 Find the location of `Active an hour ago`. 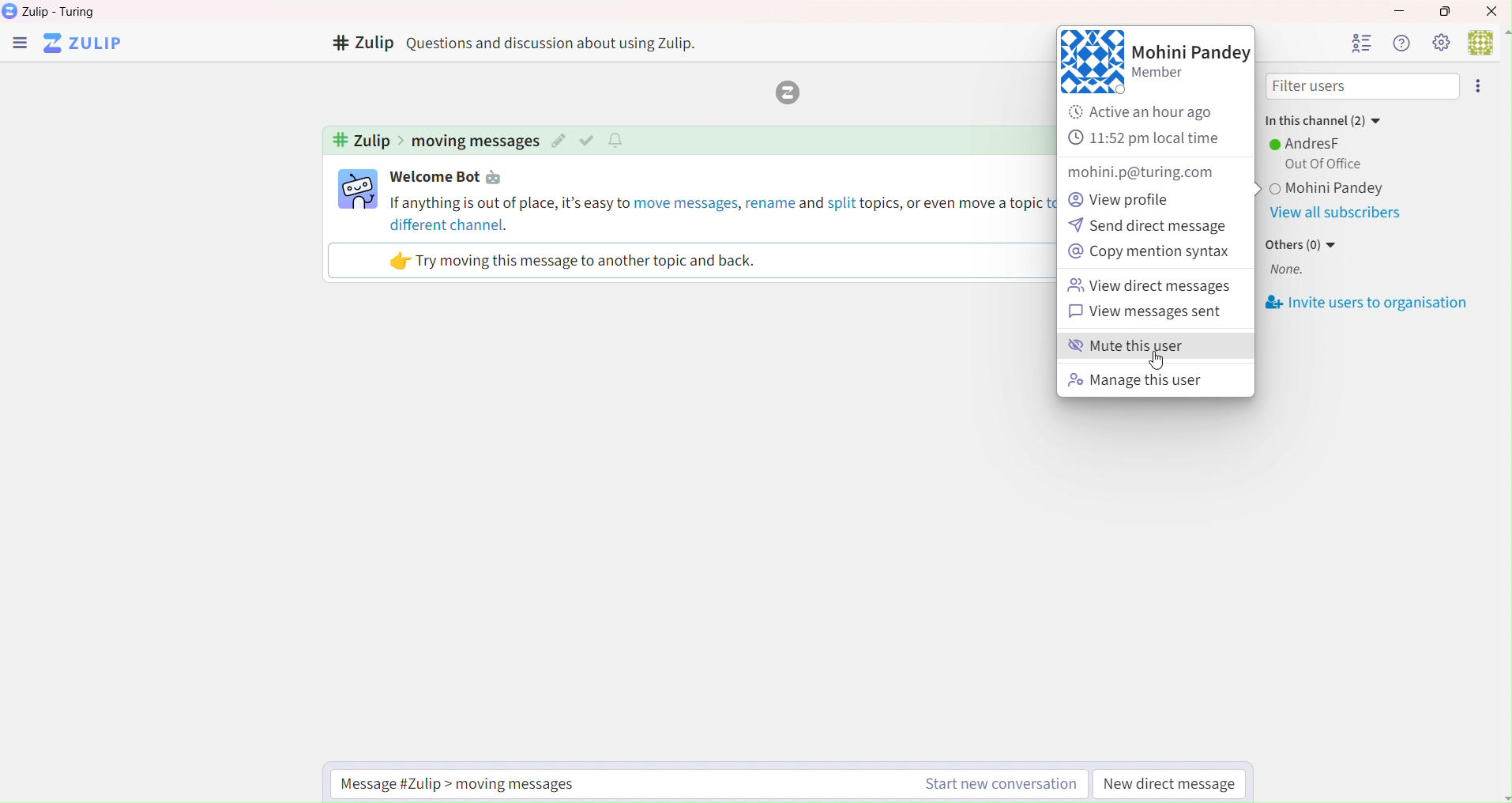

Active an hour ago is located at coordinates (1153, 112).